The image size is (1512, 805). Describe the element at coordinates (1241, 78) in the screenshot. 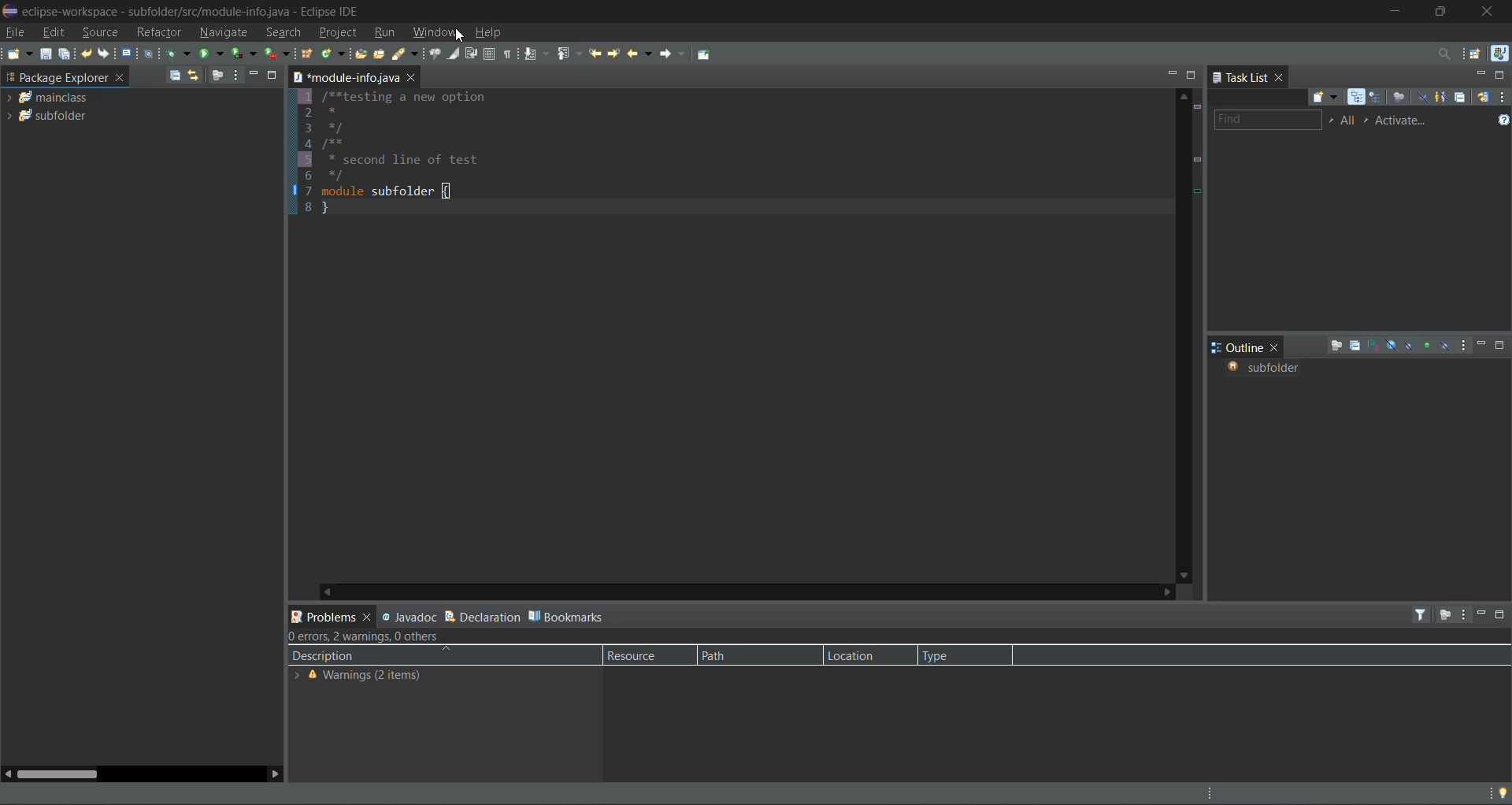

I see `task list` at that location.